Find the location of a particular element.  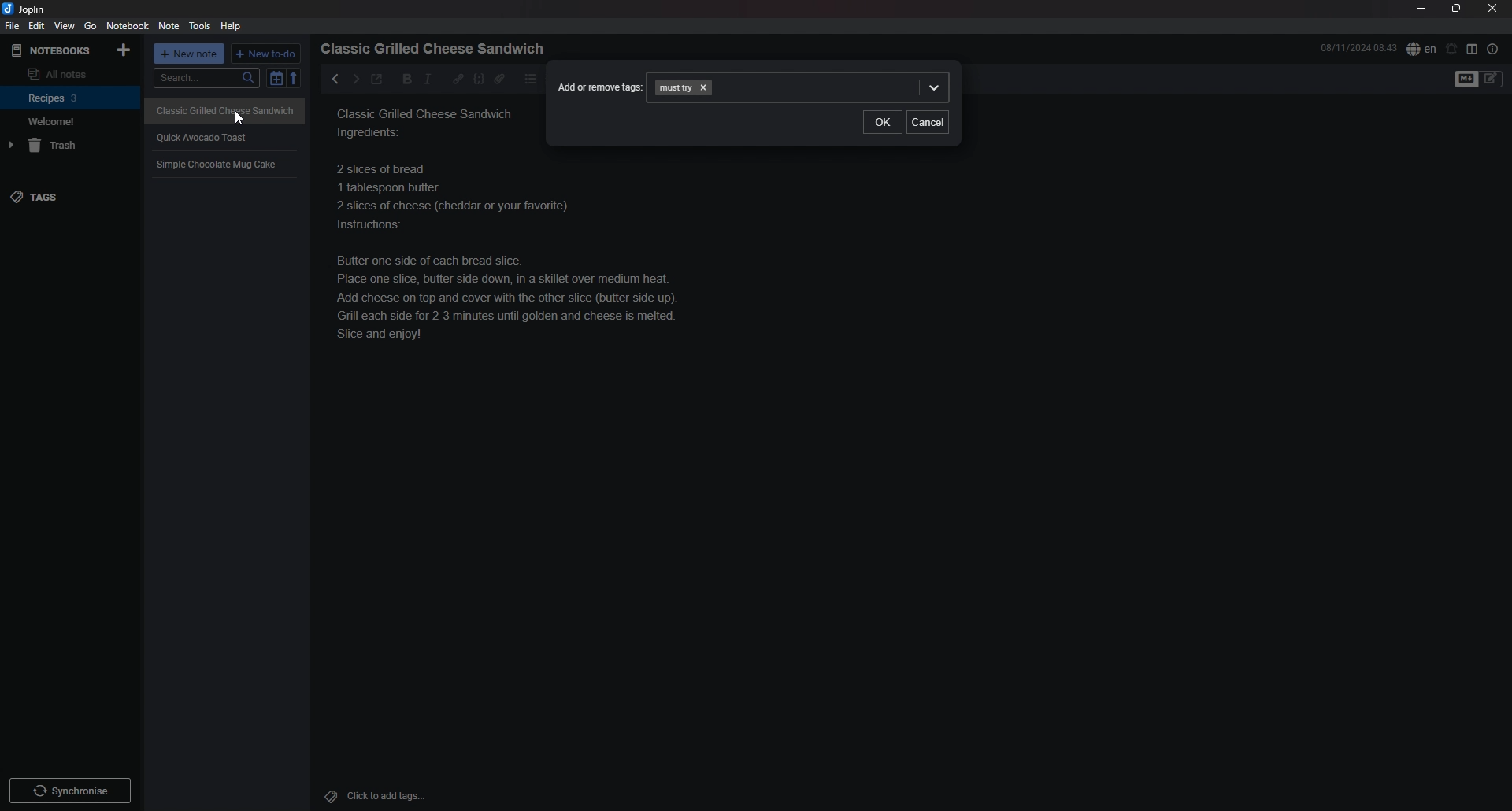

recipe is located at coordinates (202, 136).